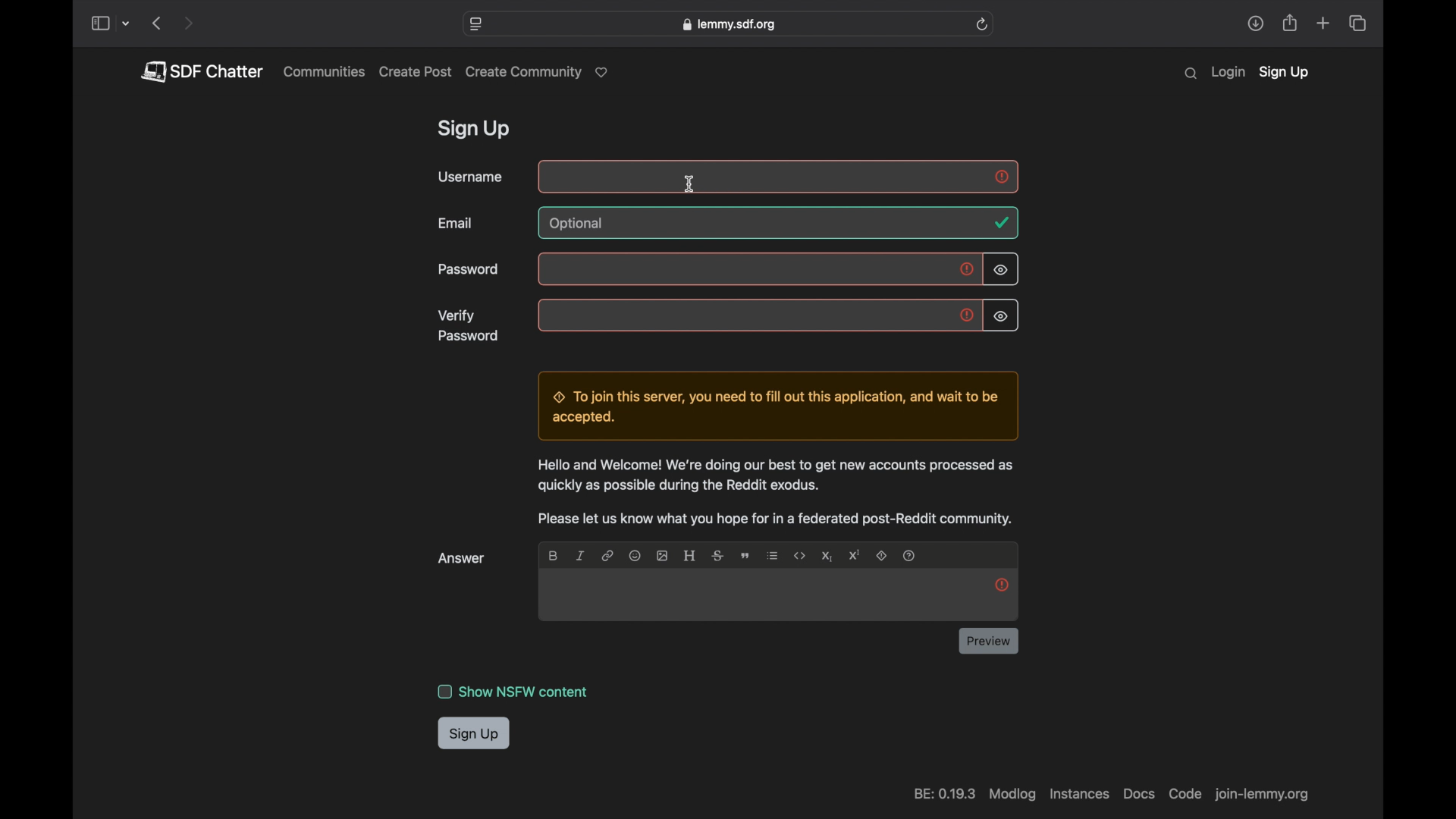 Image resolution: width=1456 pixels, height=819 pixels. I want to click on web address, so click(728, 24).